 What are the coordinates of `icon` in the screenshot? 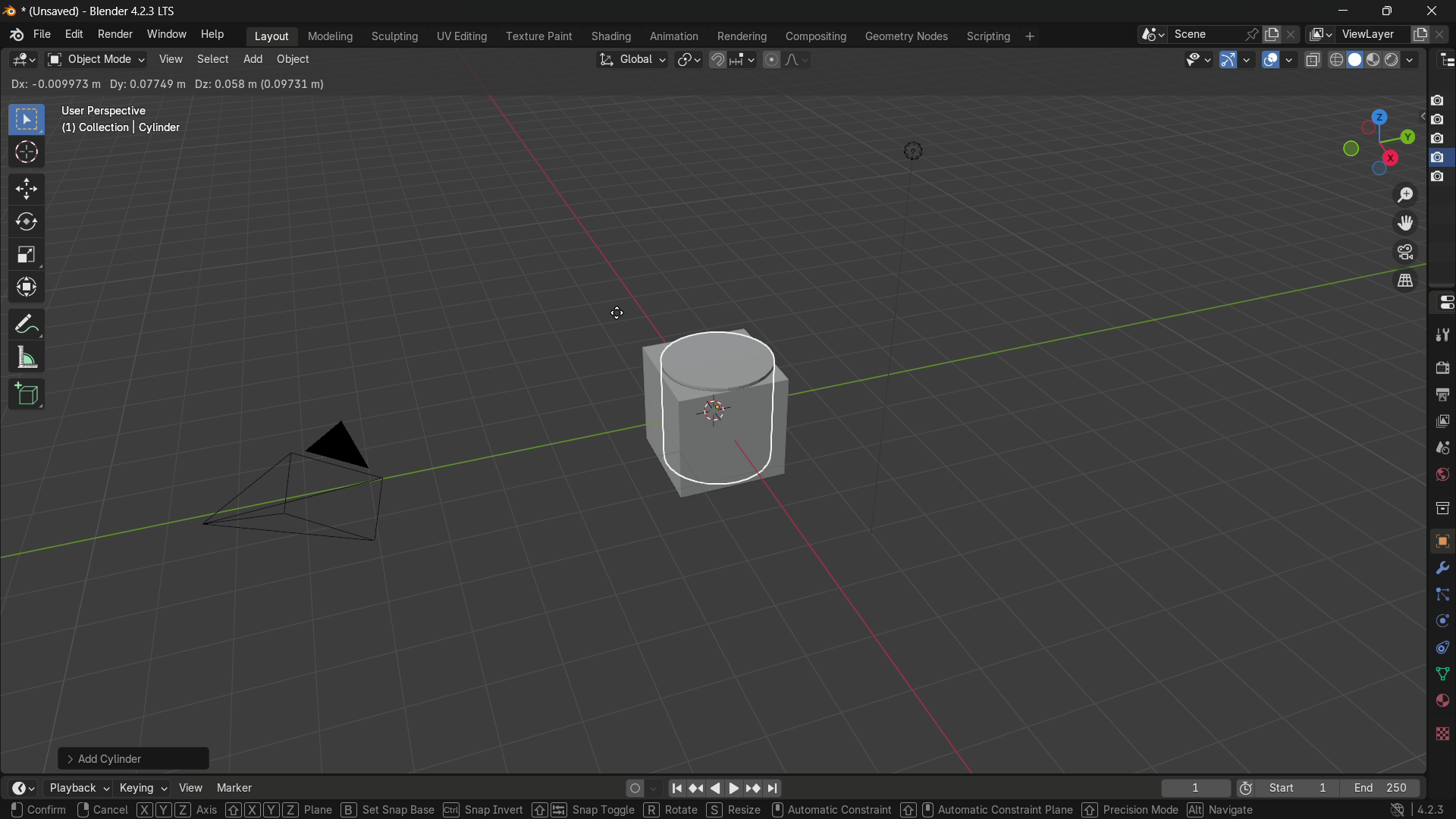 It's located at (1441, 595).